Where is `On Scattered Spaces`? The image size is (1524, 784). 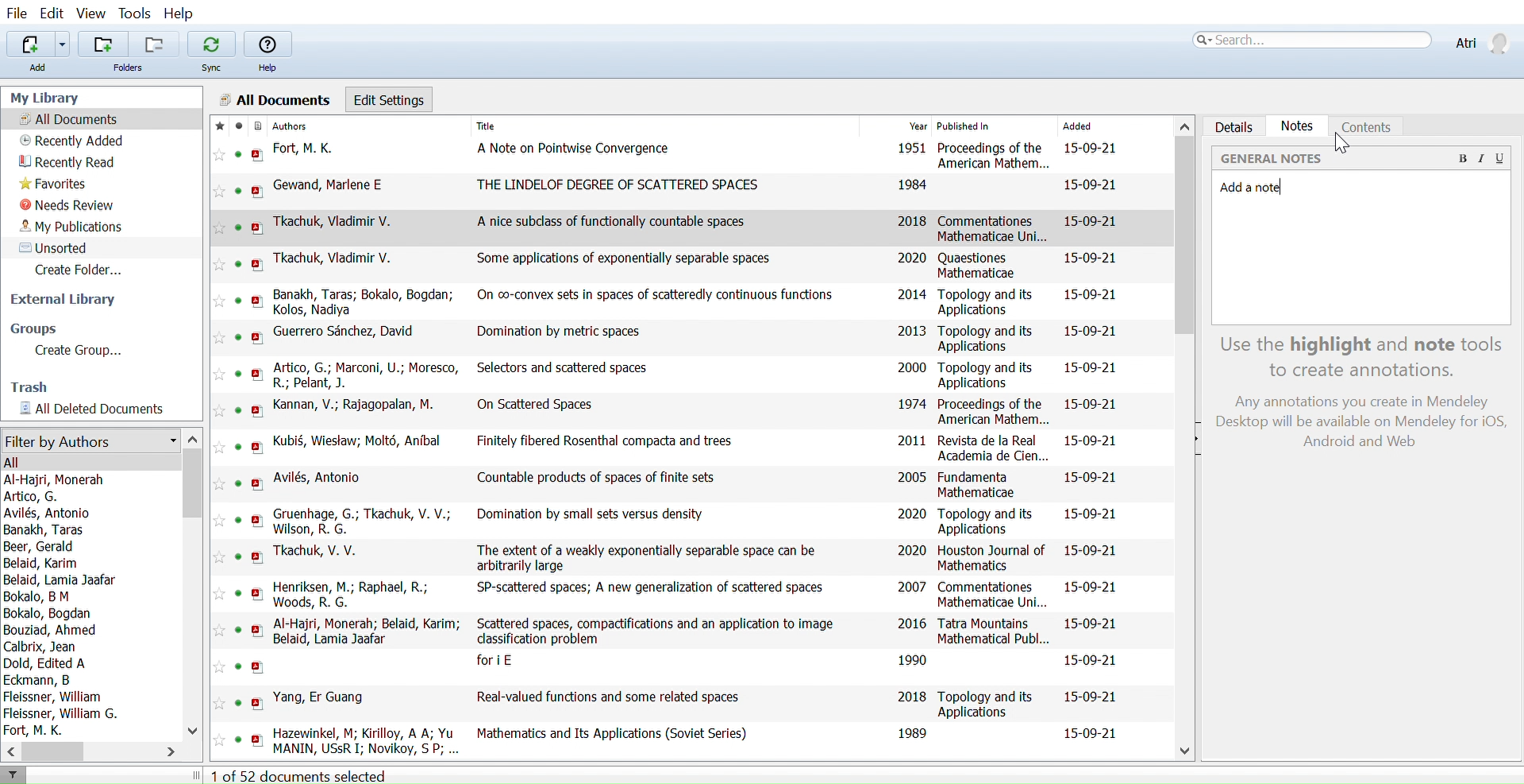 On Scattered Spaces is located at coordinates (540, 404).